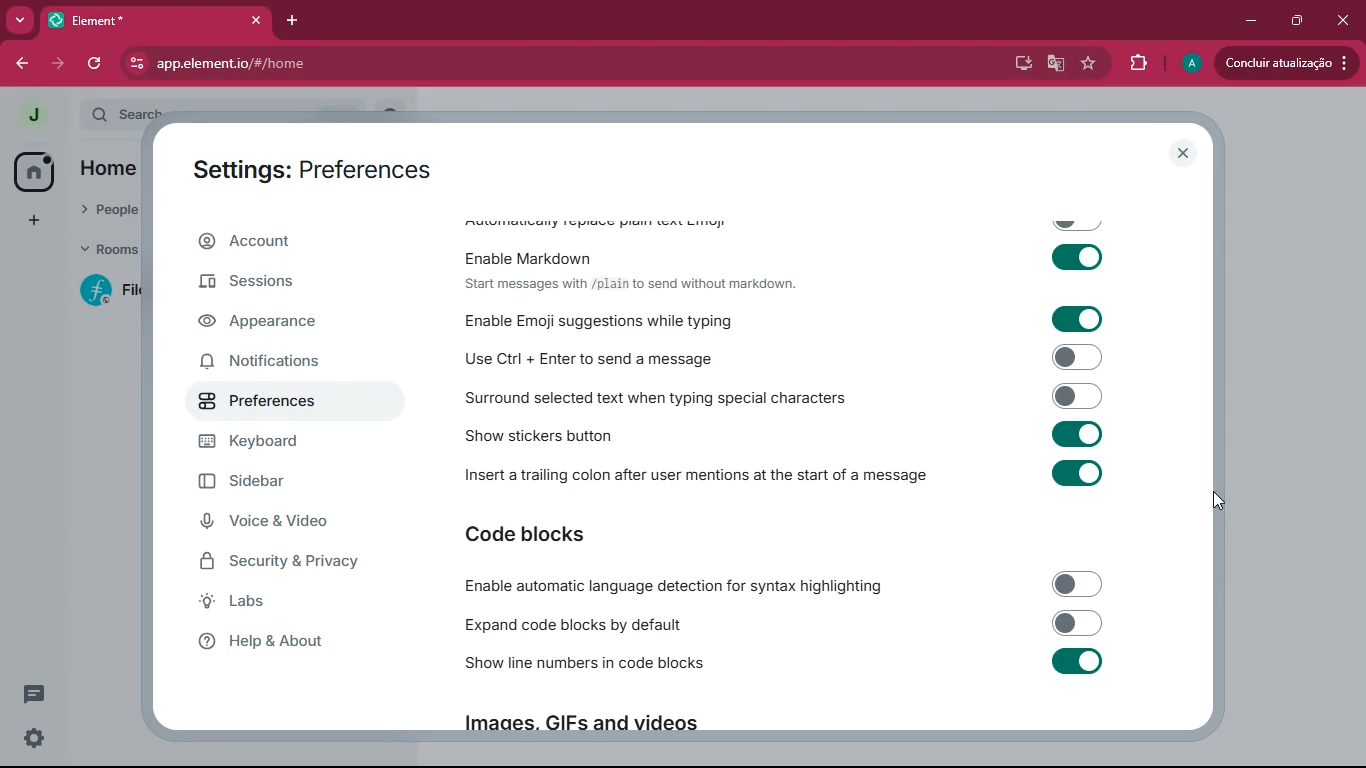  Describe the element at coordinates (1287, 63) in the screenshot. I see `conduir atualizacao` at that location.